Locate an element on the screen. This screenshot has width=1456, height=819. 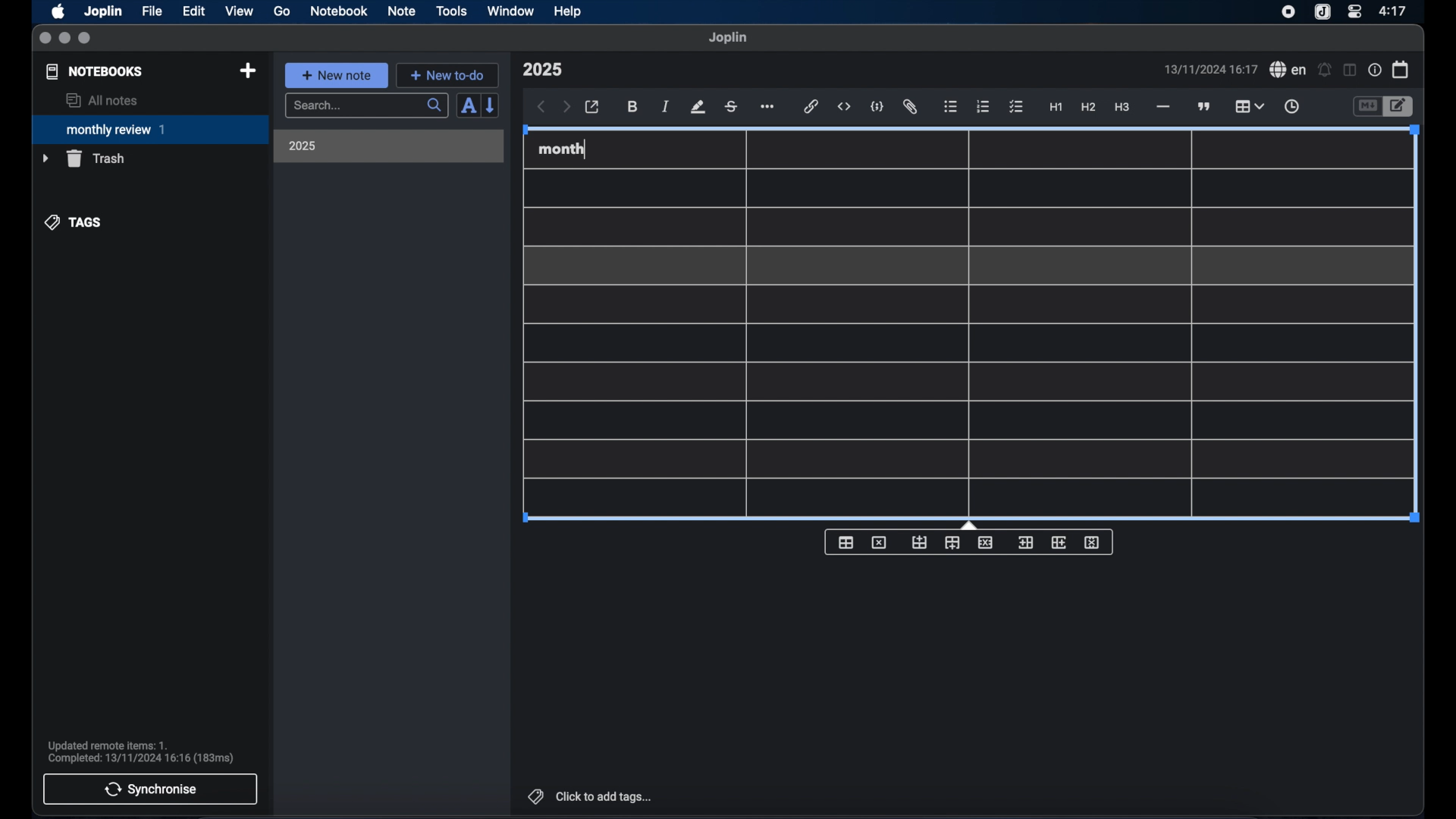
Joplin is located at coordinates (105, 12).